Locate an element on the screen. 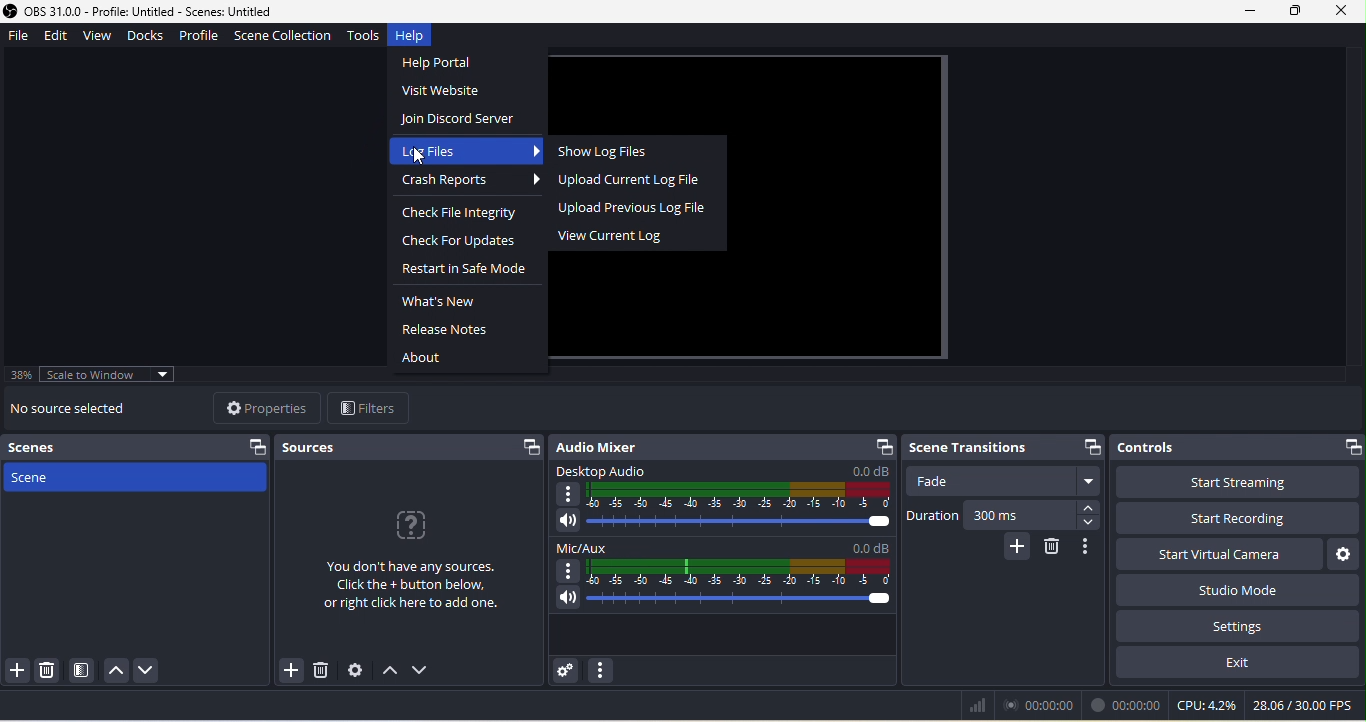 Image resolution: width=1366 pixels, height=722 pixels. start streaming is located at coordinates (1239, 482).